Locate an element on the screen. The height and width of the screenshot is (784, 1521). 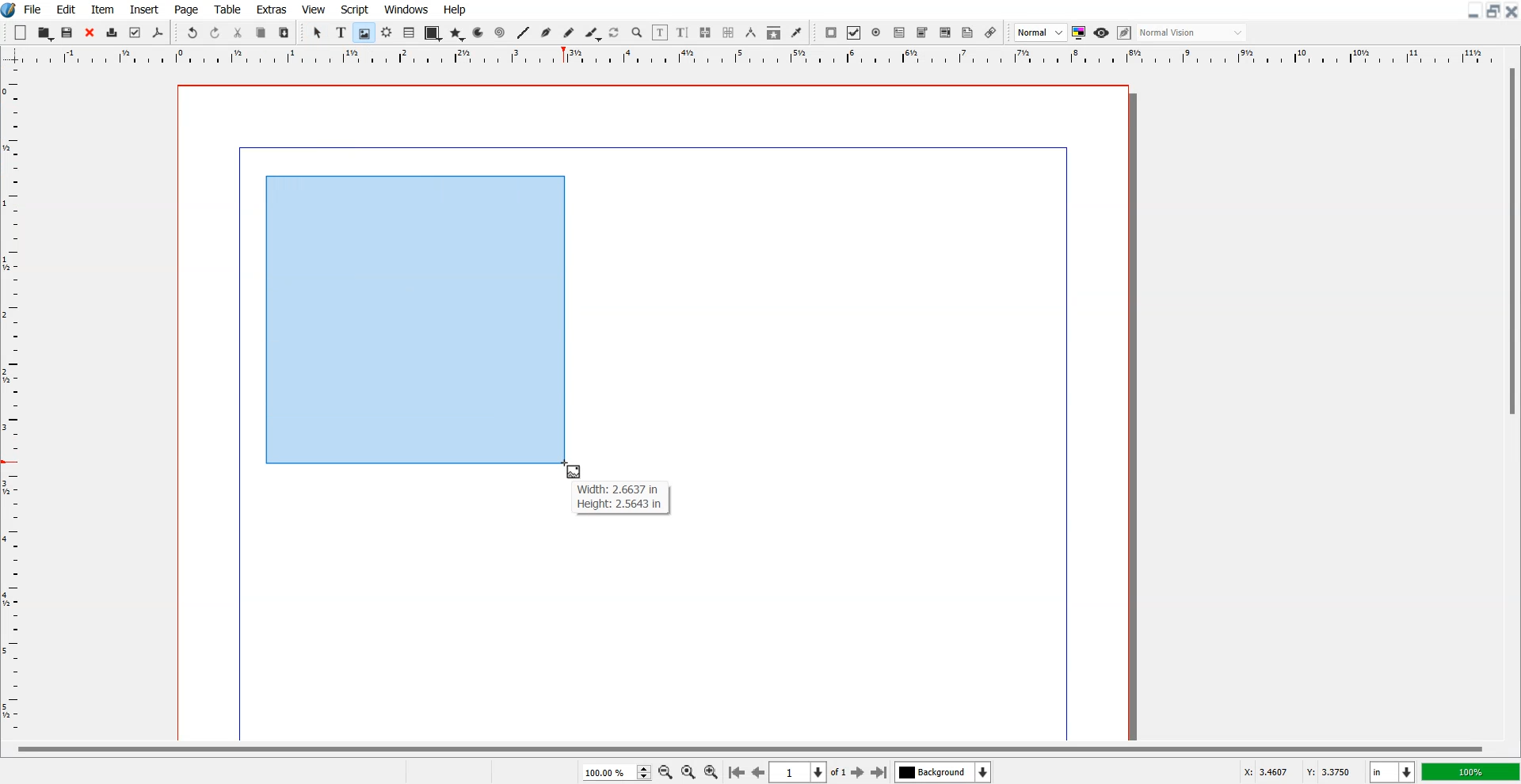
Image Frame is located at coordinates (364, 32).